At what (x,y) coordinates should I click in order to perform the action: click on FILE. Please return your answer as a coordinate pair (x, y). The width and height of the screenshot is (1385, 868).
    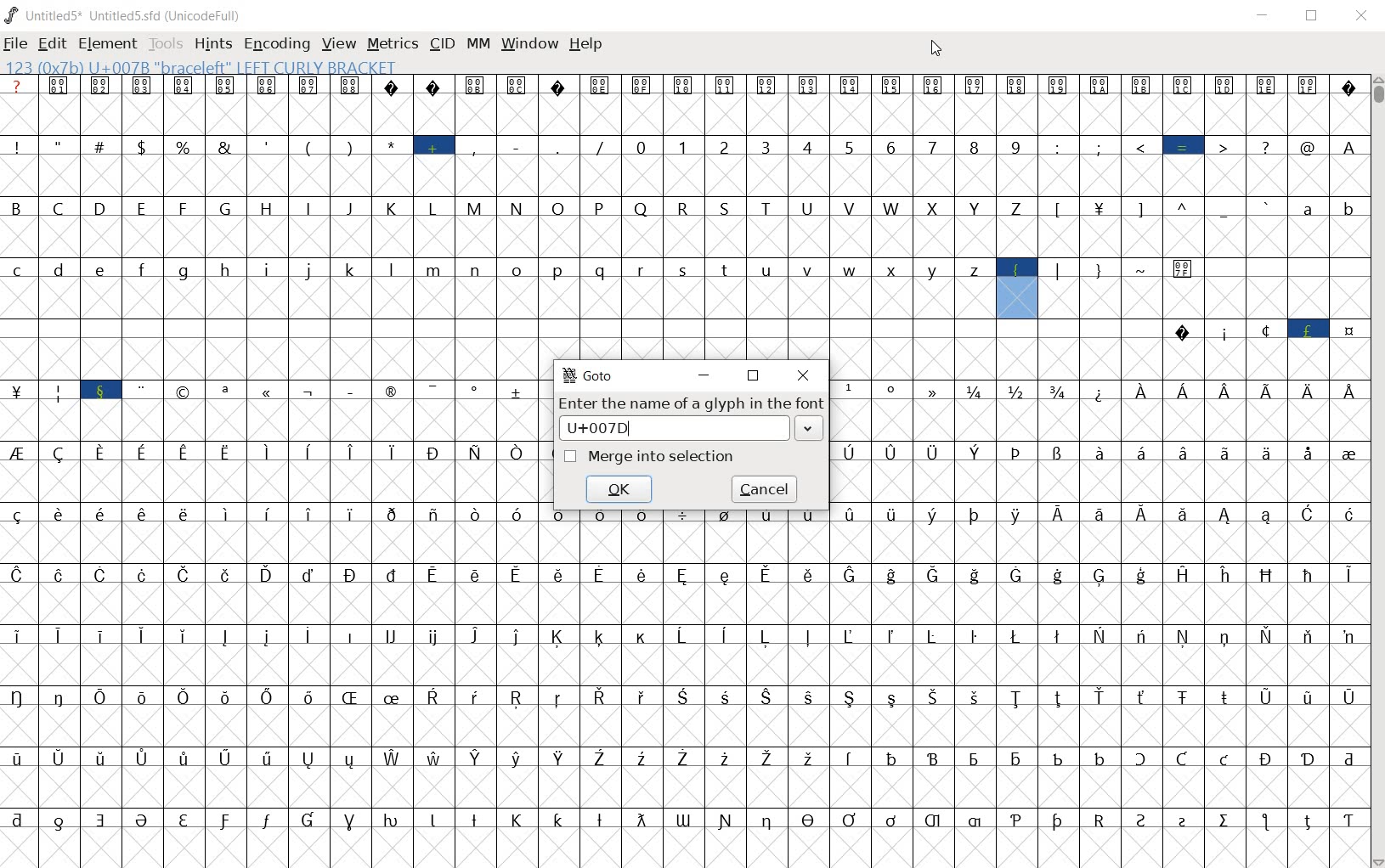
    Looking at the image, I should click on (16, 45).